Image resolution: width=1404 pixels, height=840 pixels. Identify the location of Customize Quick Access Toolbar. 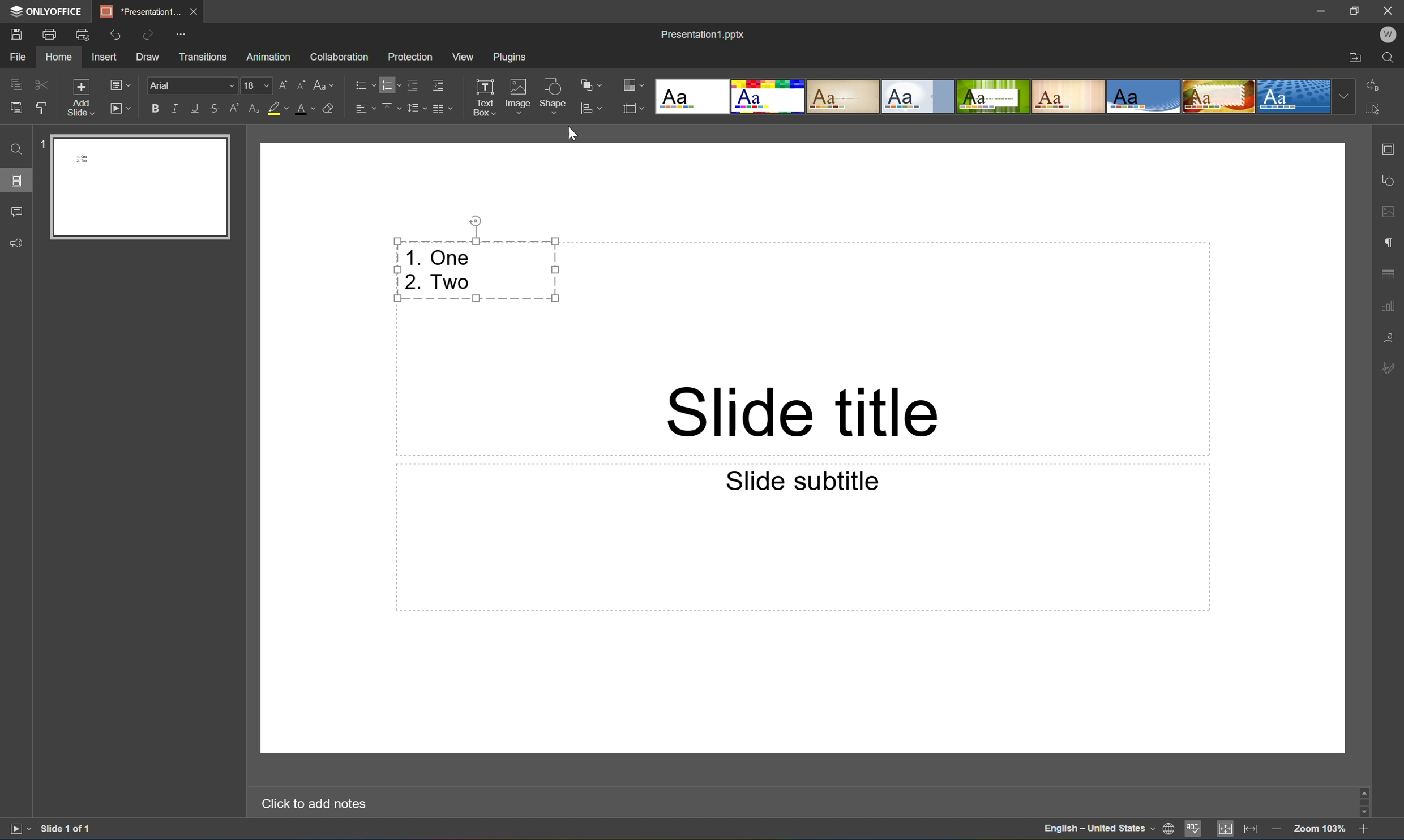
(181, 35).